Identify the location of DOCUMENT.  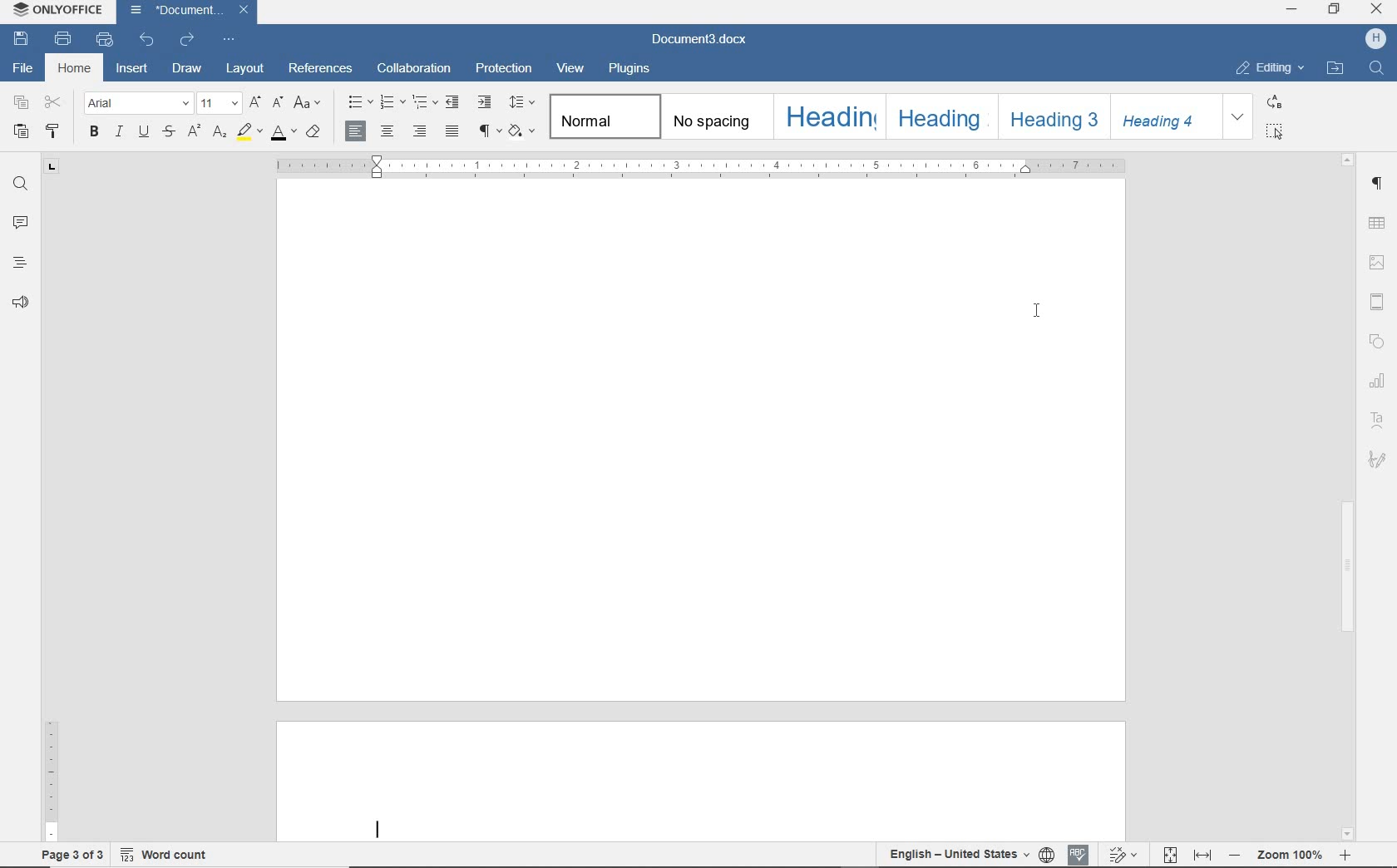
(191, 12).